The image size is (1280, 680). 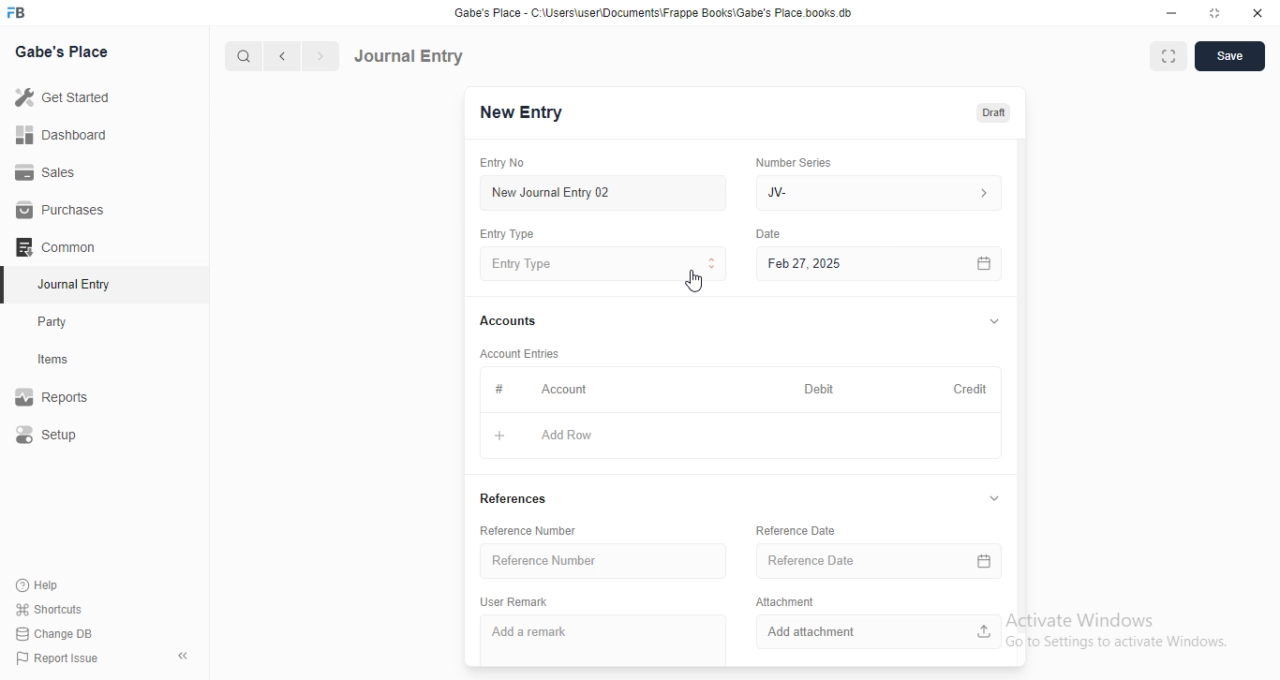 What do you see at coordinates (971, 390) in the screenshot?
I see `Credit` at bounding box center [971, 390].